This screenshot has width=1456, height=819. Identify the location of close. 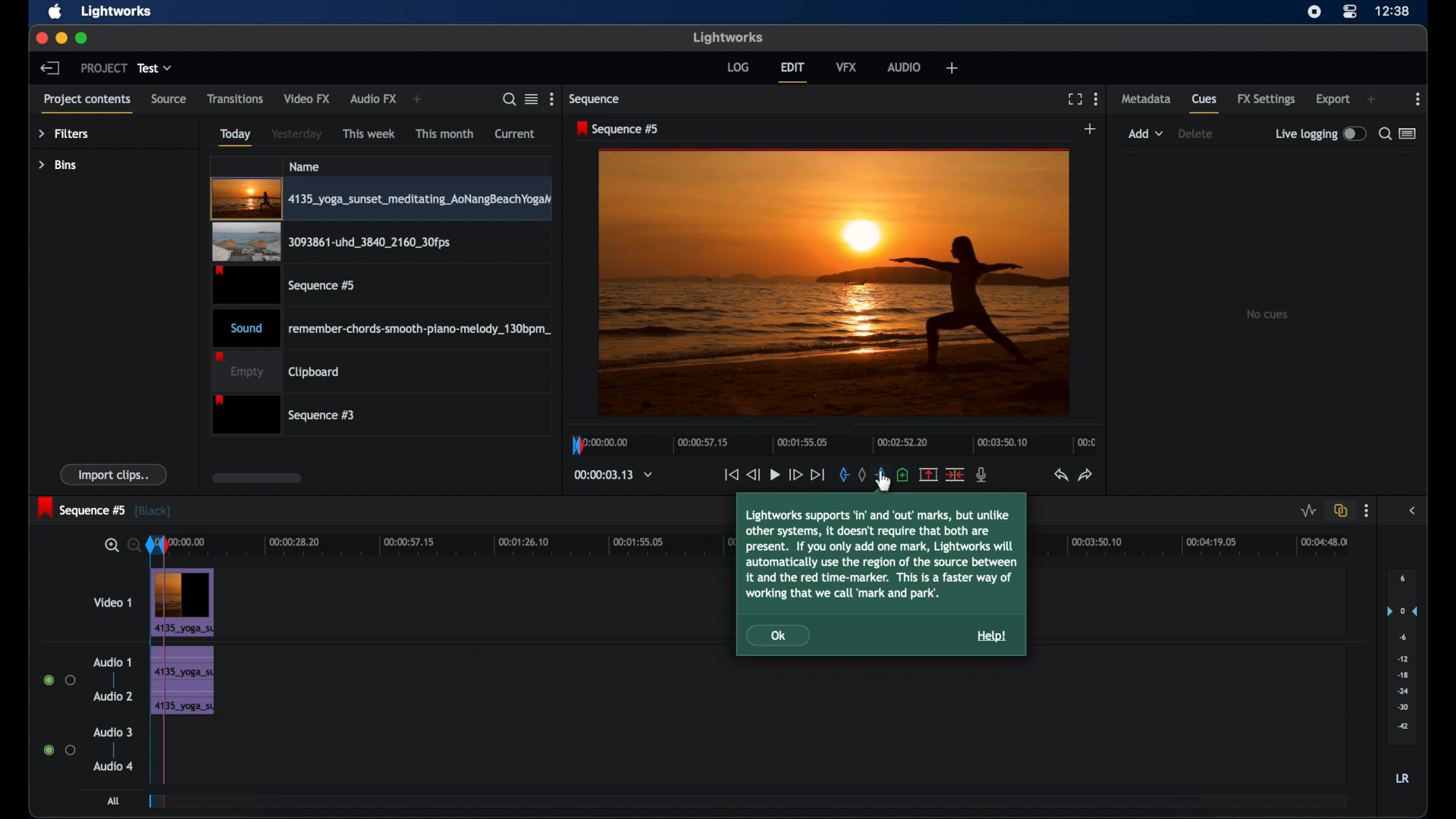
(40, 36).